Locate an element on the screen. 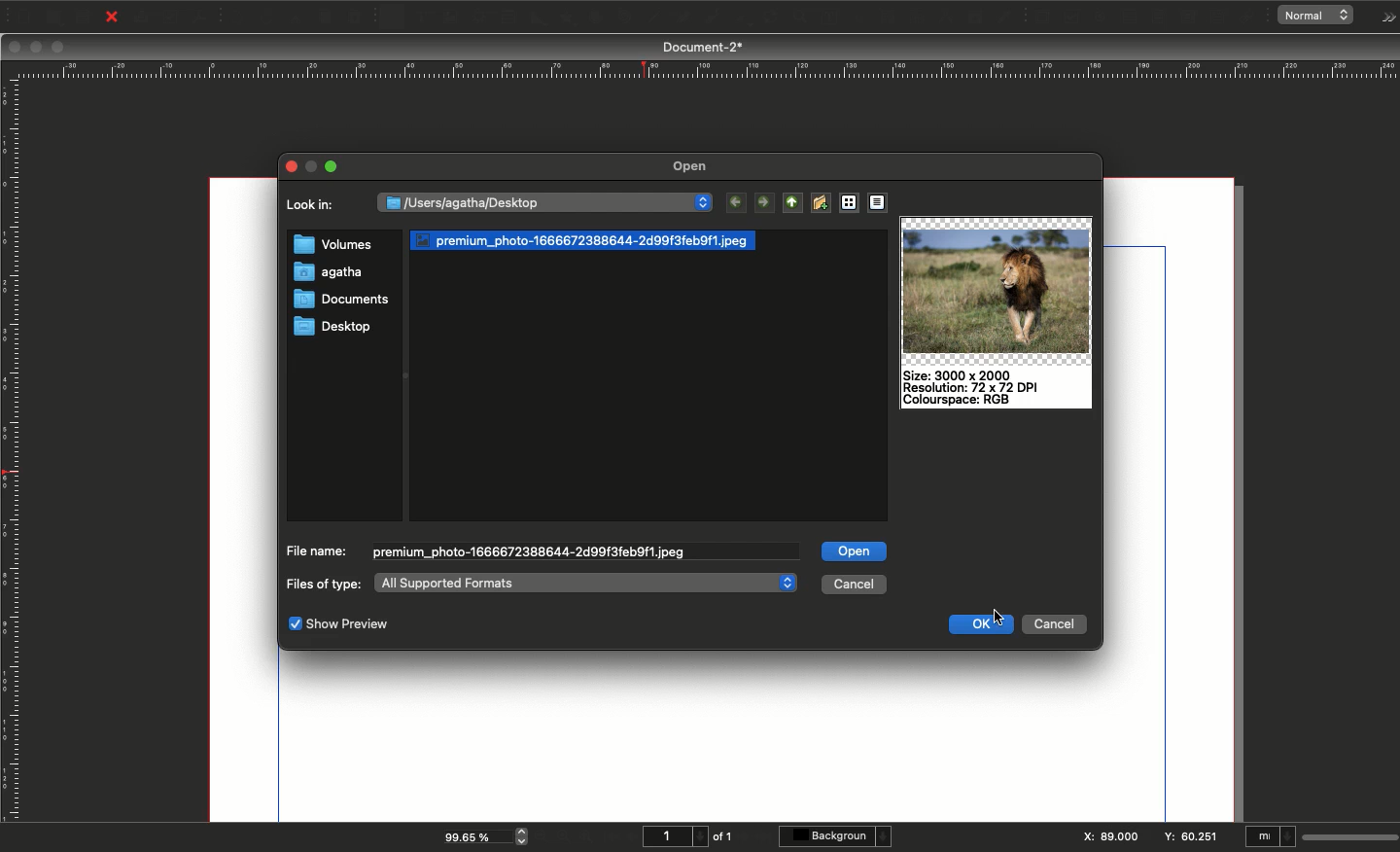 The width and height of the screenshot is (1400, 852). of 1 is located at coordinates (723, 836).